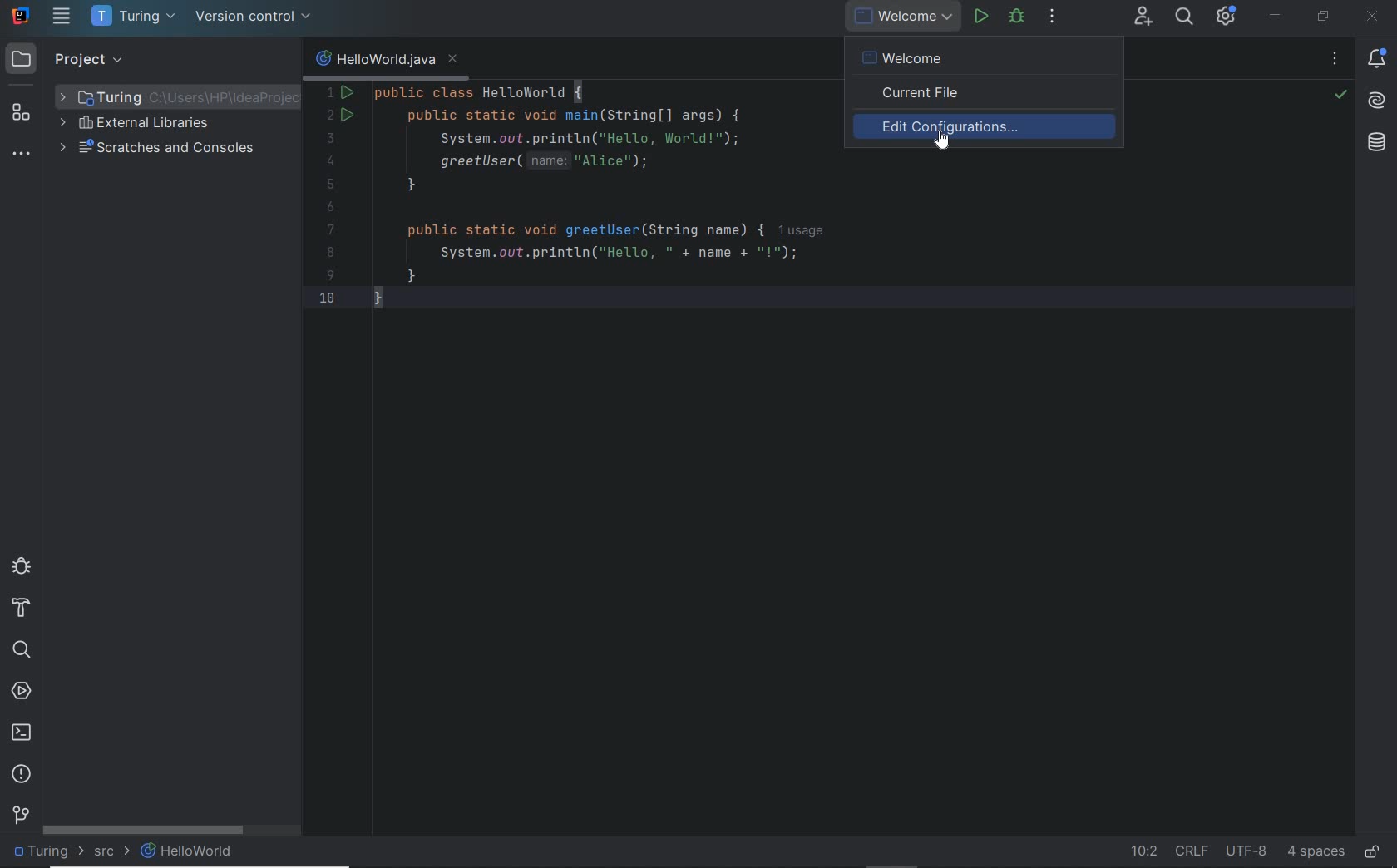 The image size is (1397, 868). What do you see at coordinates (188, 851) in the screenshot?
I see `HelloWorld` at bounding box center [188, 851].